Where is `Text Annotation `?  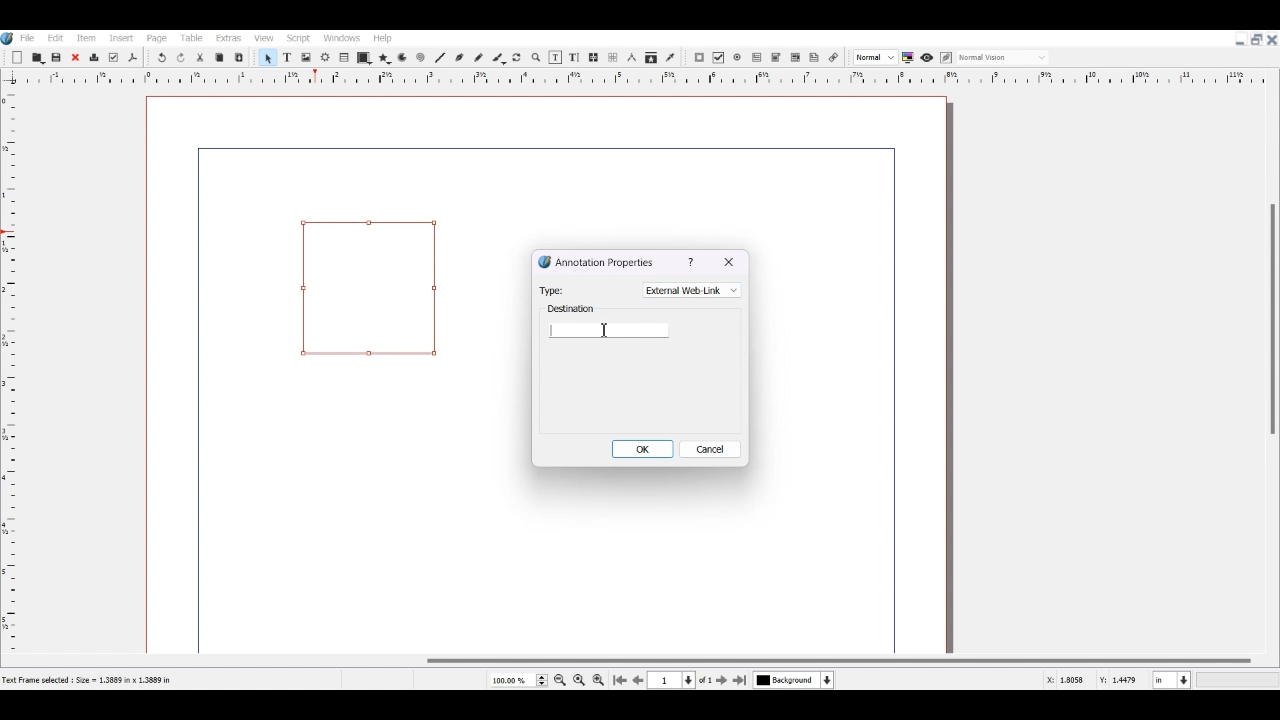
Text Annotation  is located at coordinates (815, 57).